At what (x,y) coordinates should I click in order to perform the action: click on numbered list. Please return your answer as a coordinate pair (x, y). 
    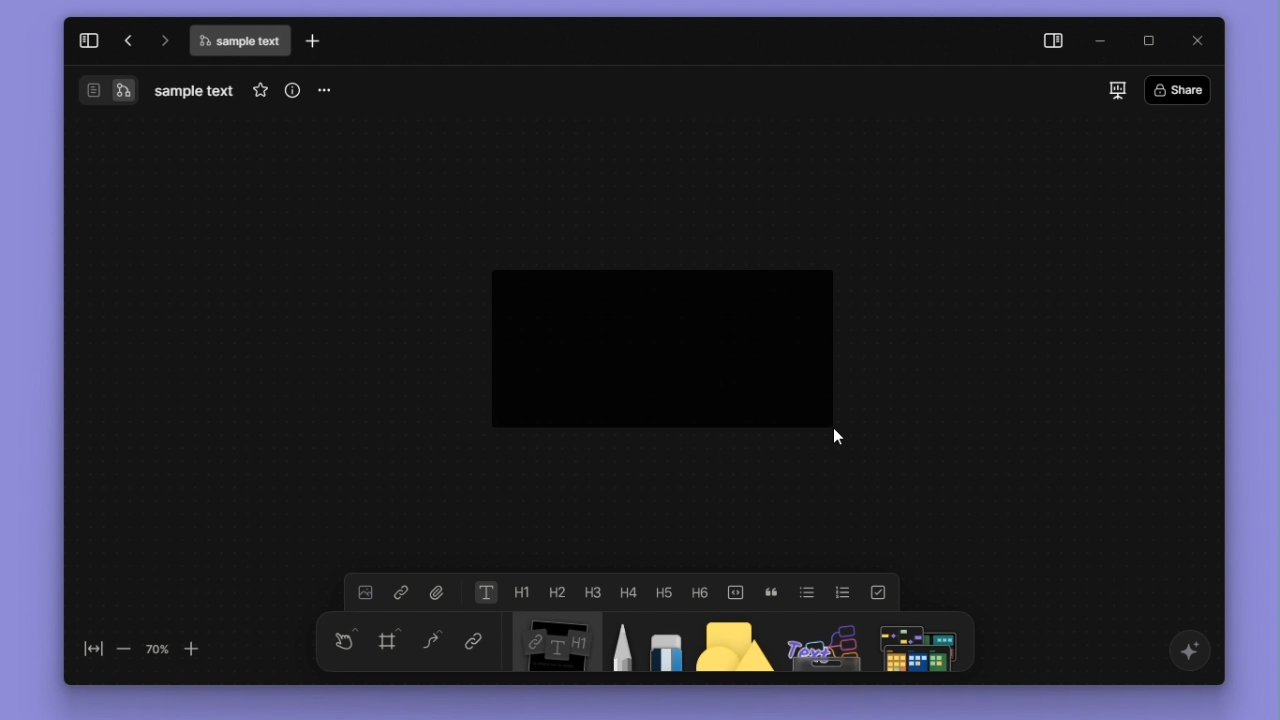
    Looking at the image, I should click on (843, 591).